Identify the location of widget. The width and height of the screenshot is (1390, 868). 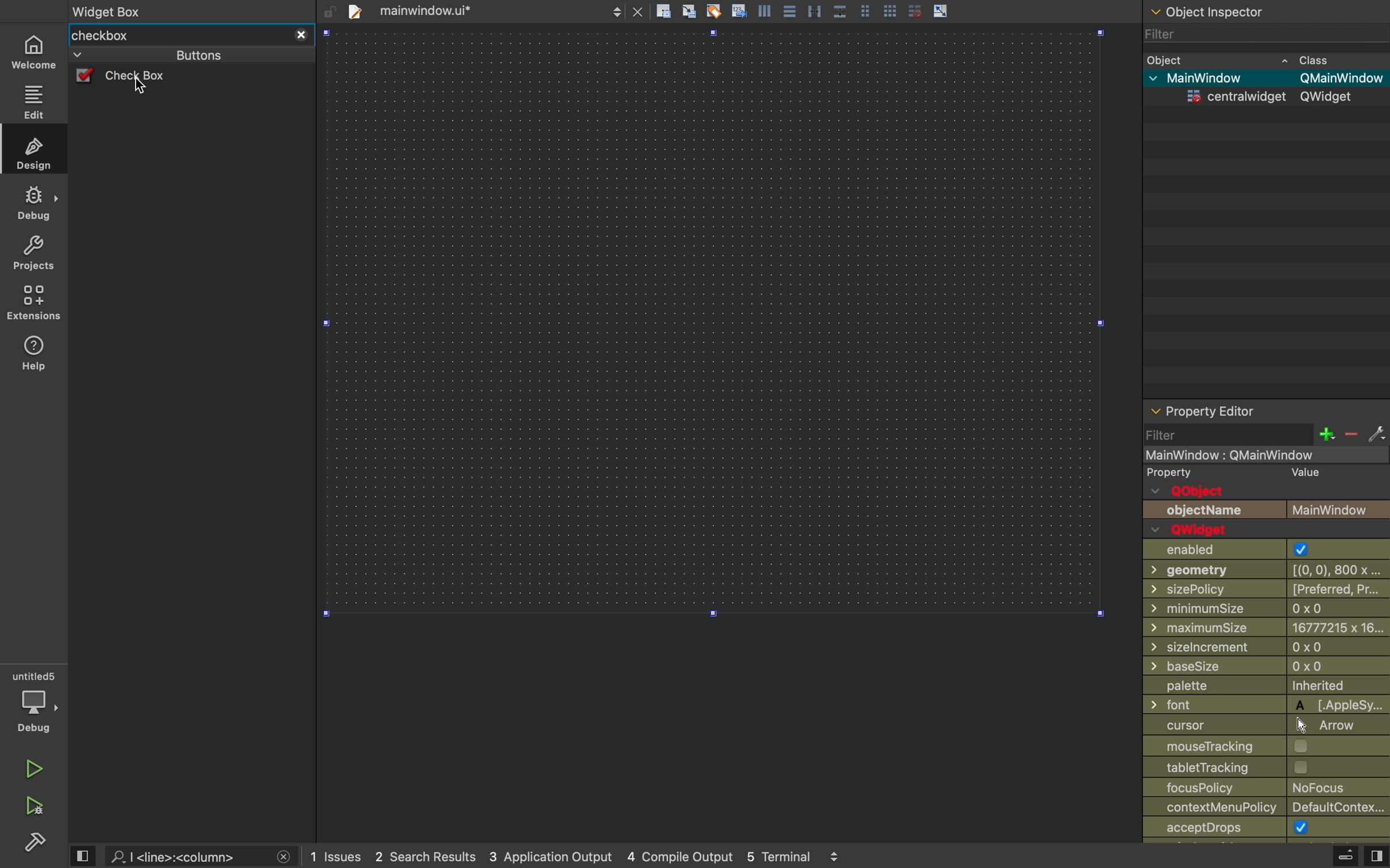
(1270, 96).